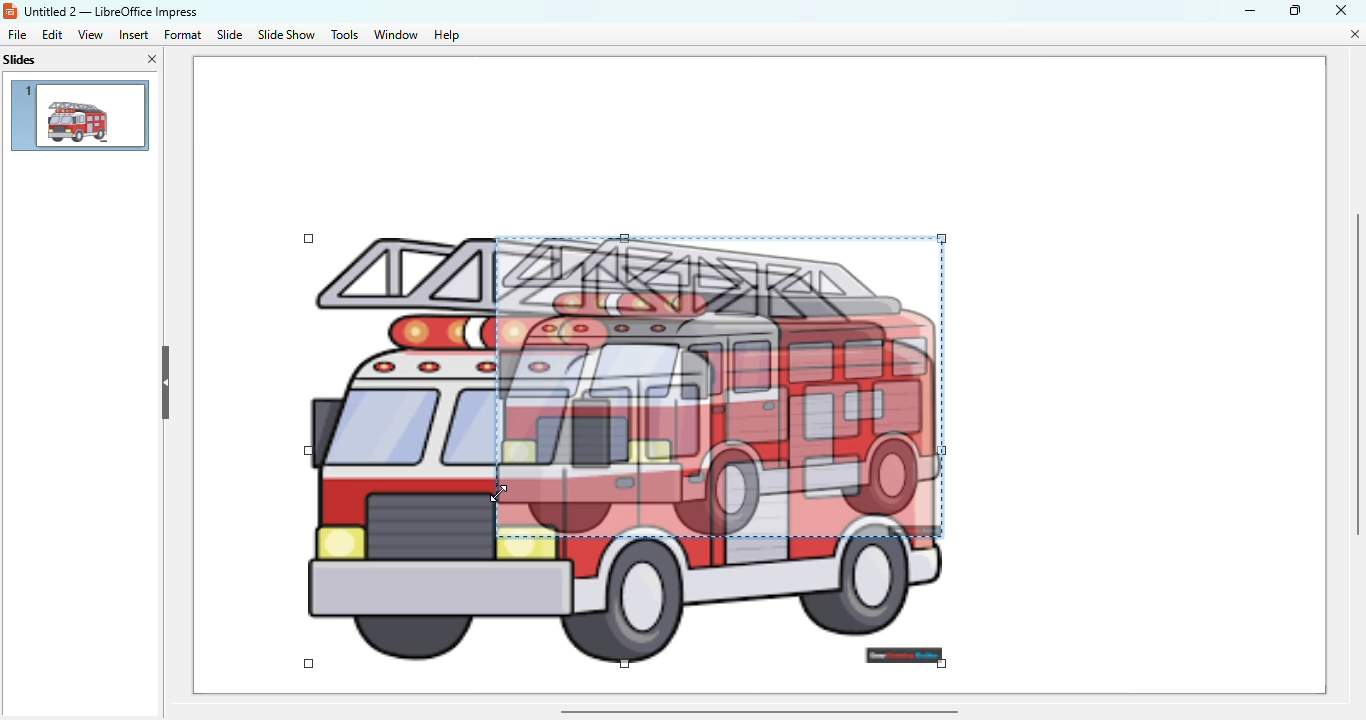 This screenshot has width=1366, height=720. I want to click on corner handles, so click(625, 663).